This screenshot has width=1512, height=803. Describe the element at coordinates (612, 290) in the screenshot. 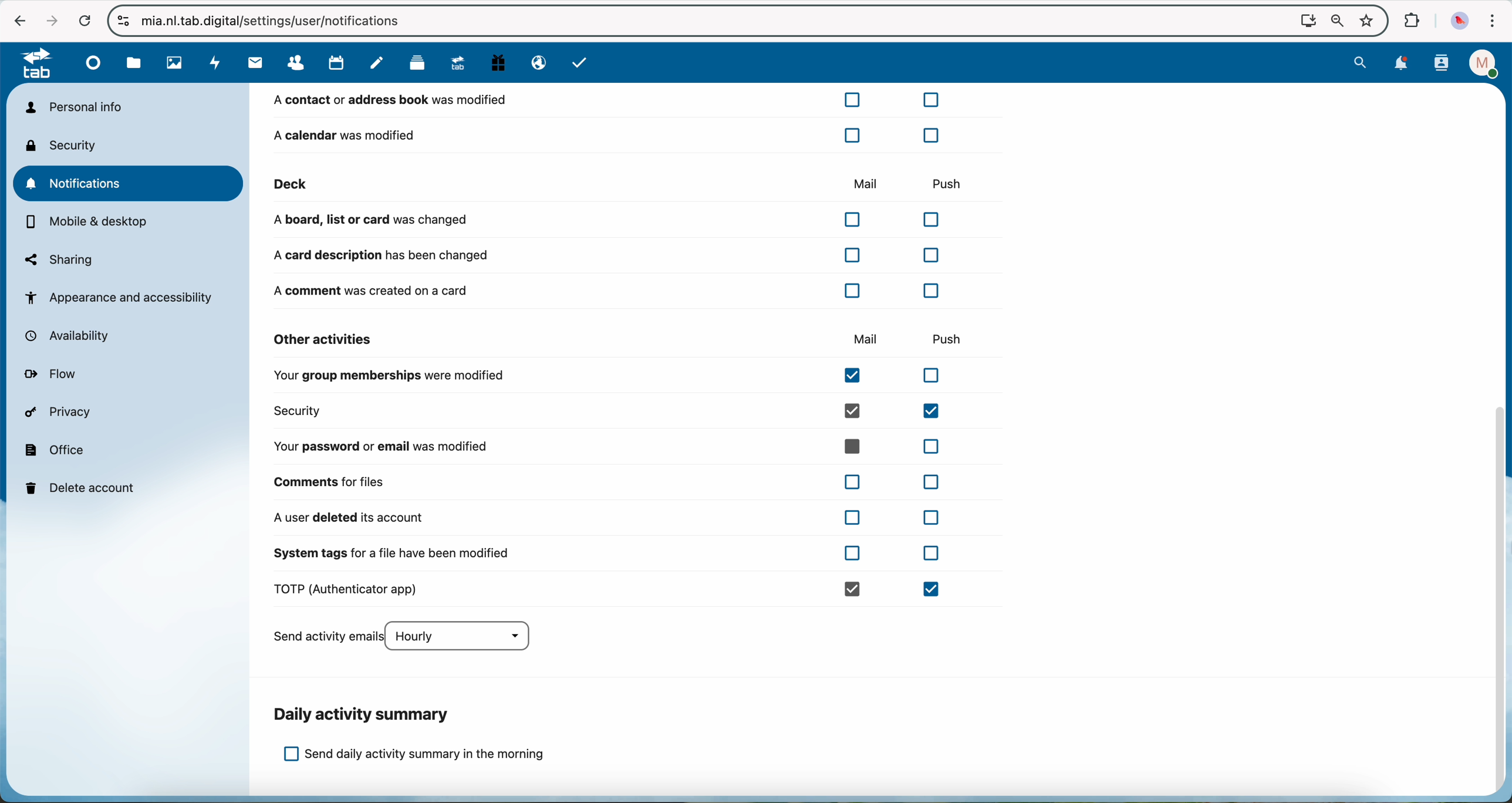

I see `a comment was created on a card` at that location.